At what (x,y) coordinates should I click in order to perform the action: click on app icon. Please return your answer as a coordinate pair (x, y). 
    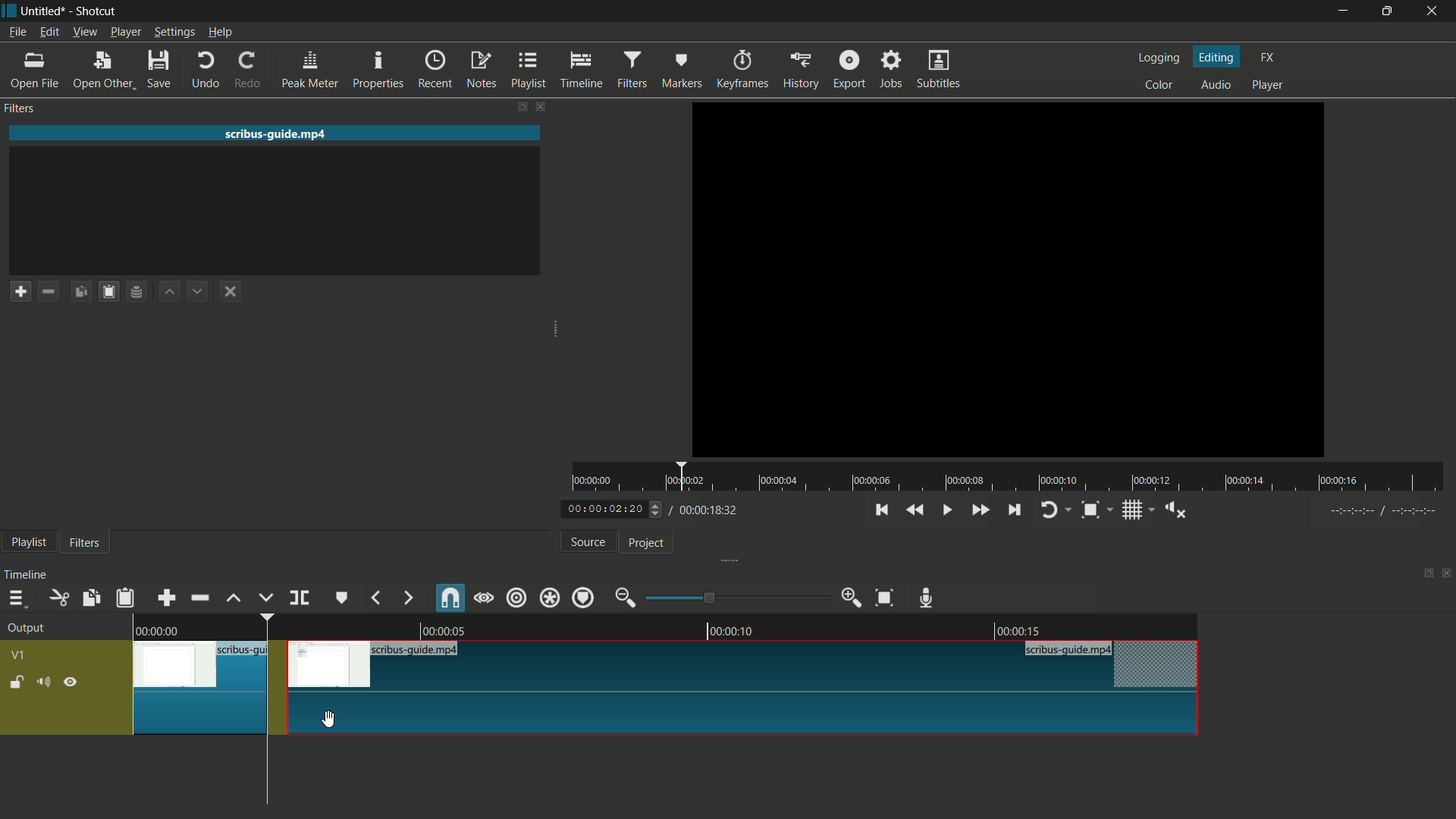
    Looking at the image, I should click on (9, 9).